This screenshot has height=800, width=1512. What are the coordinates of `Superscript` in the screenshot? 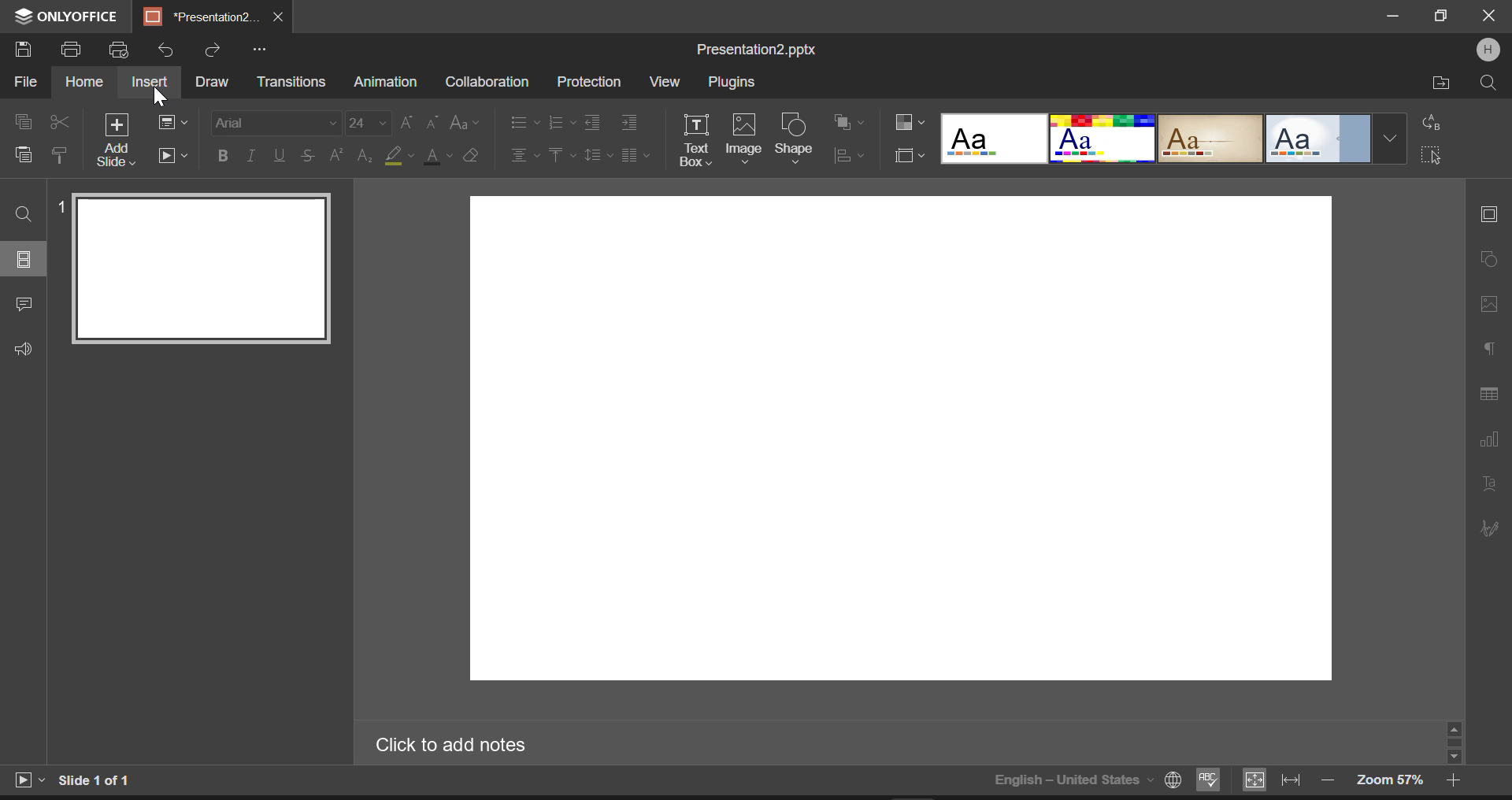 It's located at (335, 157).